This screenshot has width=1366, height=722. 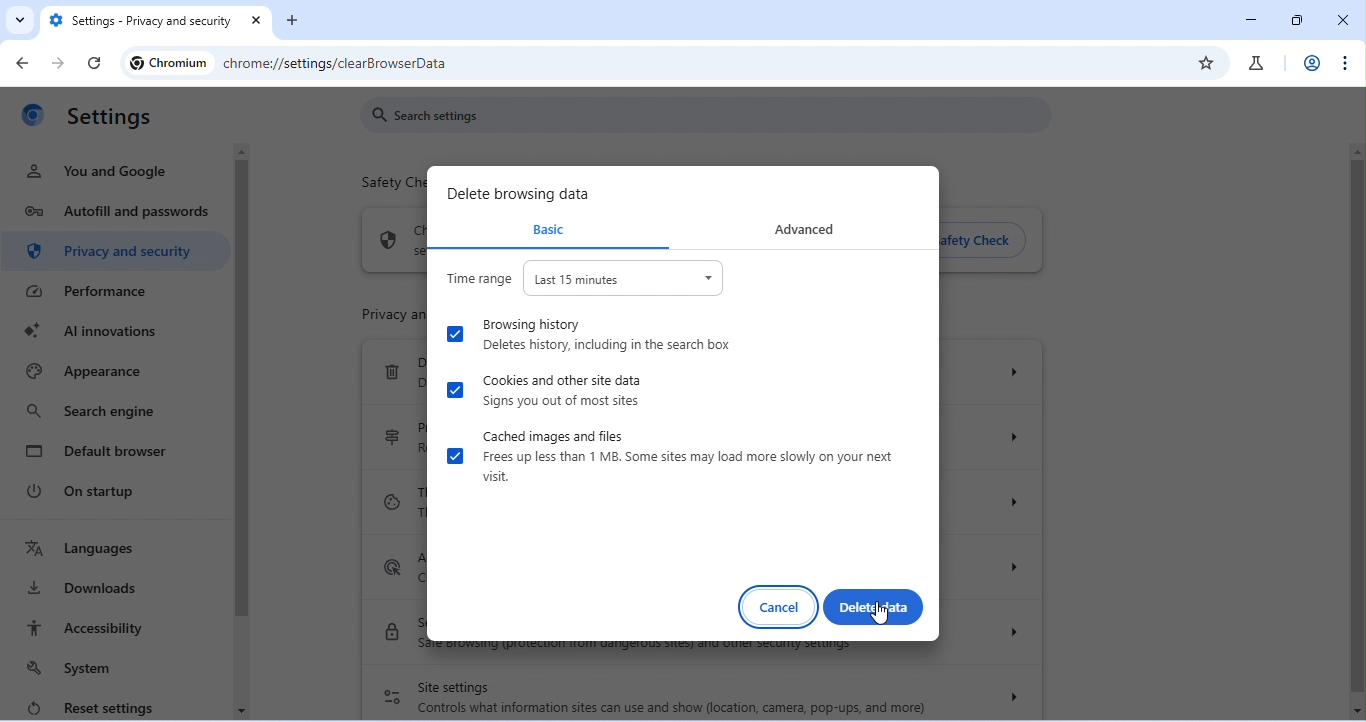 I want to click on drop down, so click(x=1018, y=435).